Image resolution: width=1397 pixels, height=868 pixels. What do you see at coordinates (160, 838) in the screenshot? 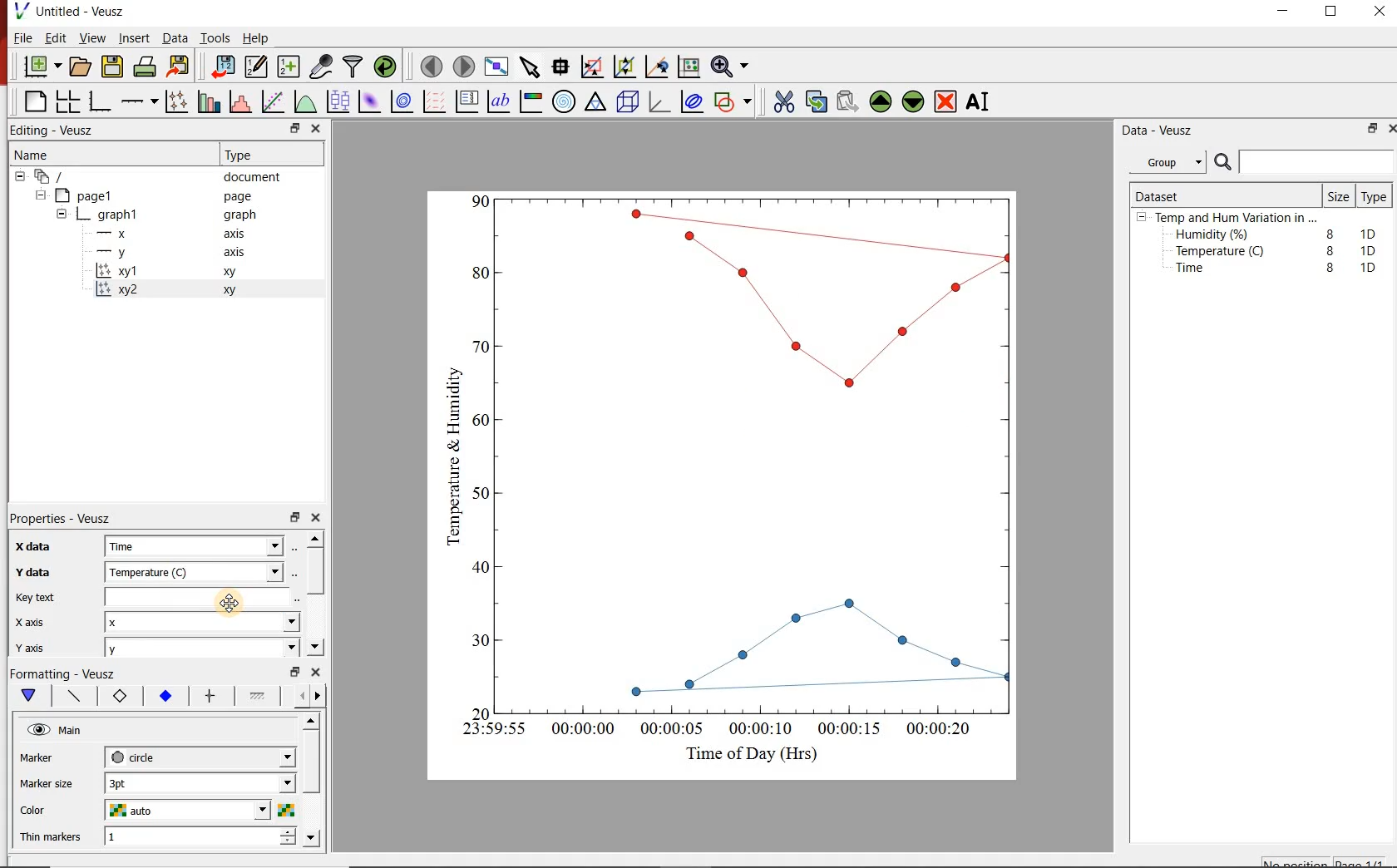
I see `1` at bounding box center [160, 838].